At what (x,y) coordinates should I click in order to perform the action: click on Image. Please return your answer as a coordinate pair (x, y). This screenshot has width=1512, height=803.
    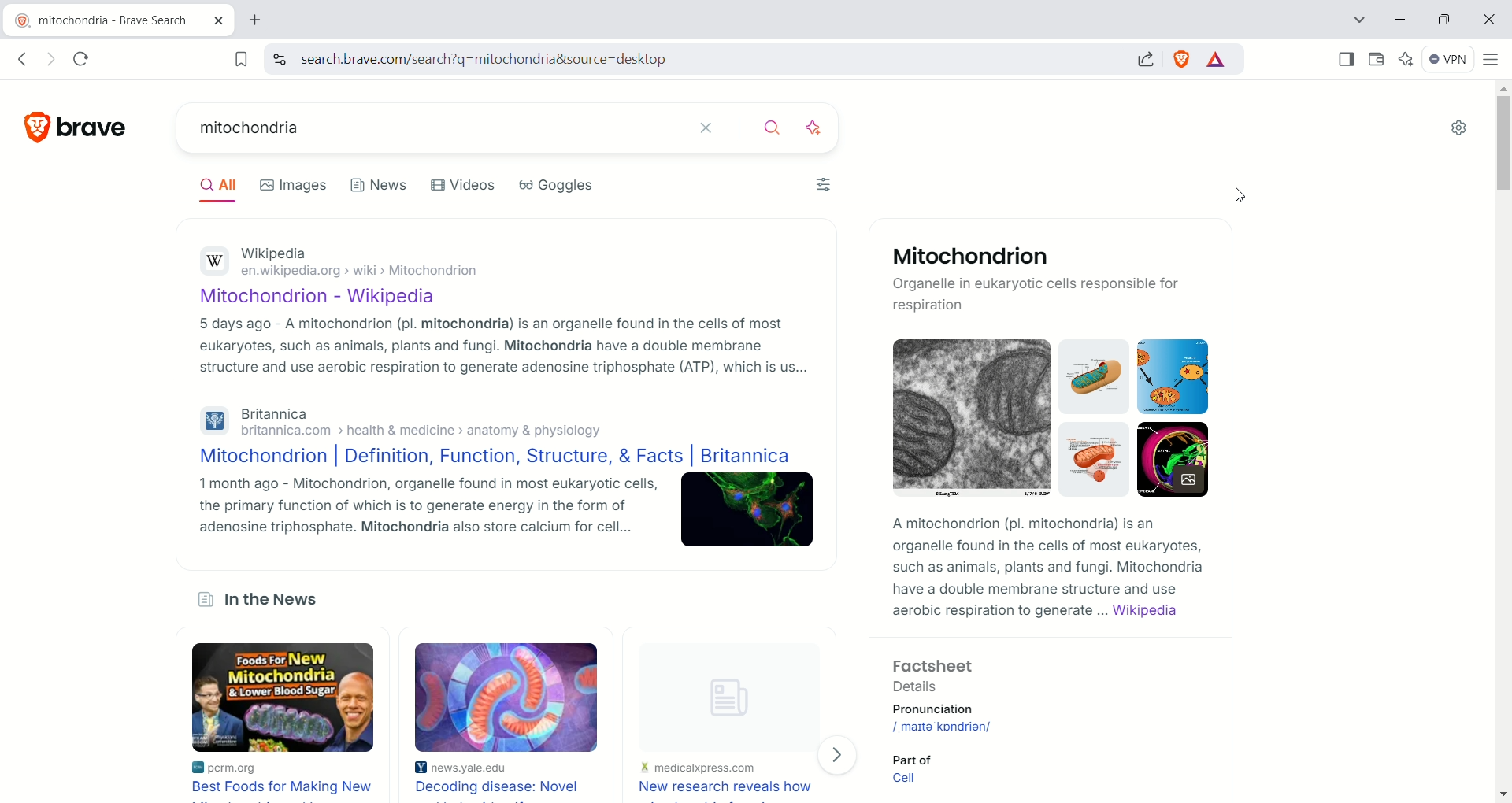
    Looking at the image, I should click on (1097, 459).